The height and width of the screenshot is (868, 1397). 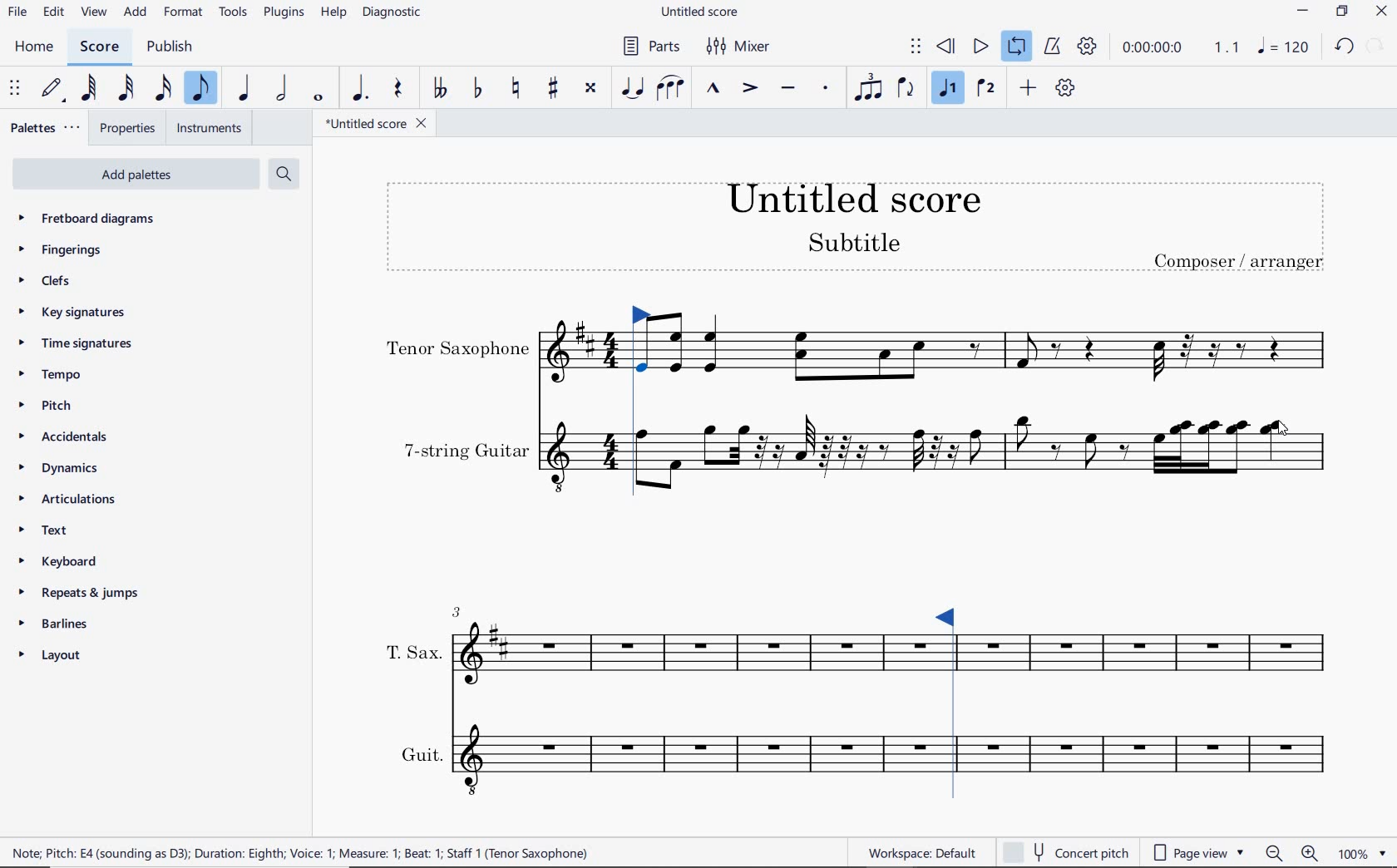 What do you see at coordinates (60, 439) in the screenshot?
I see `ACCIDENTALS` at bounding box center [60, 439].